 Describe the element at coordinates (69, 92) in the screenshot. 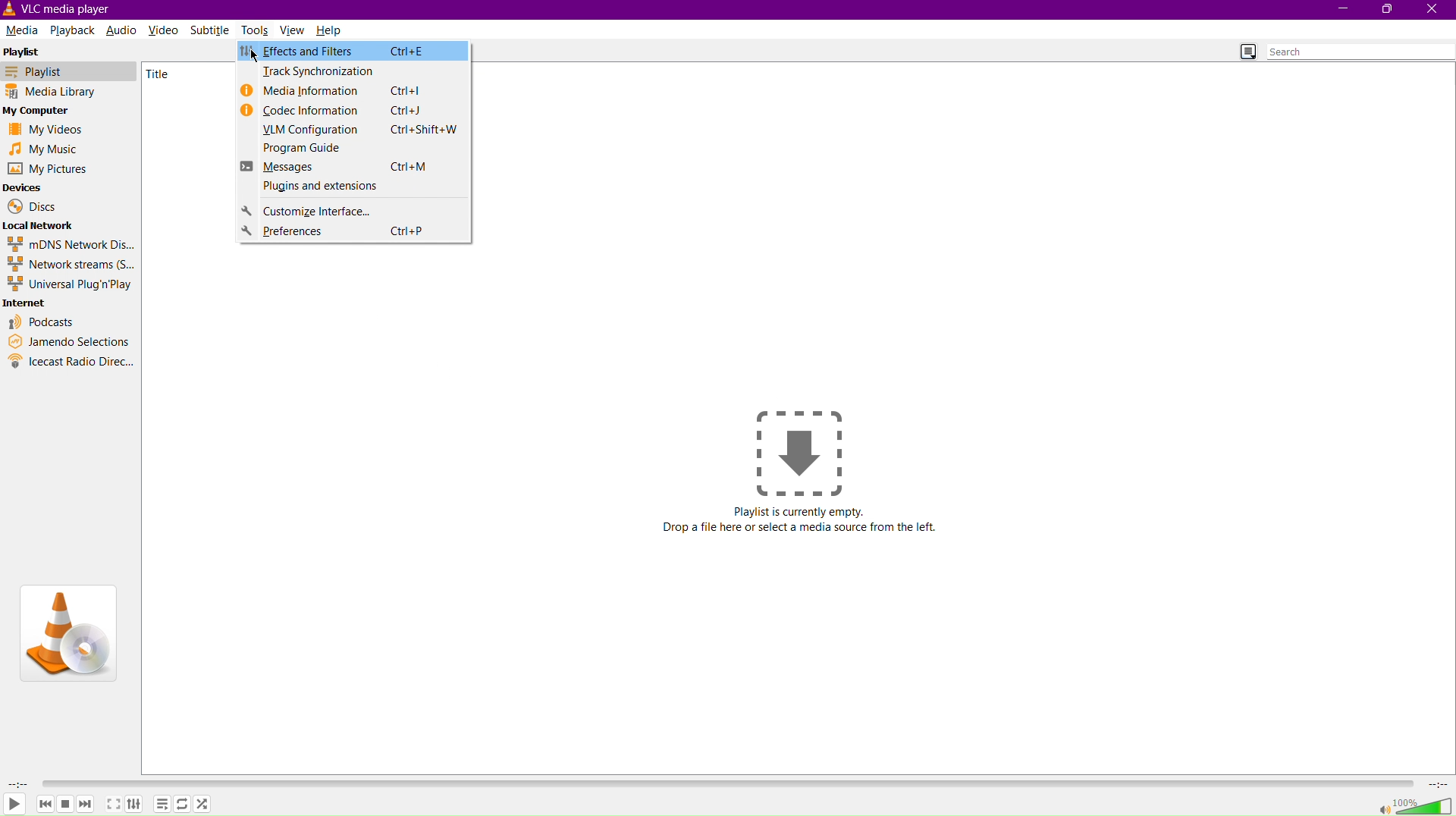

I see `Media Library` at that location.